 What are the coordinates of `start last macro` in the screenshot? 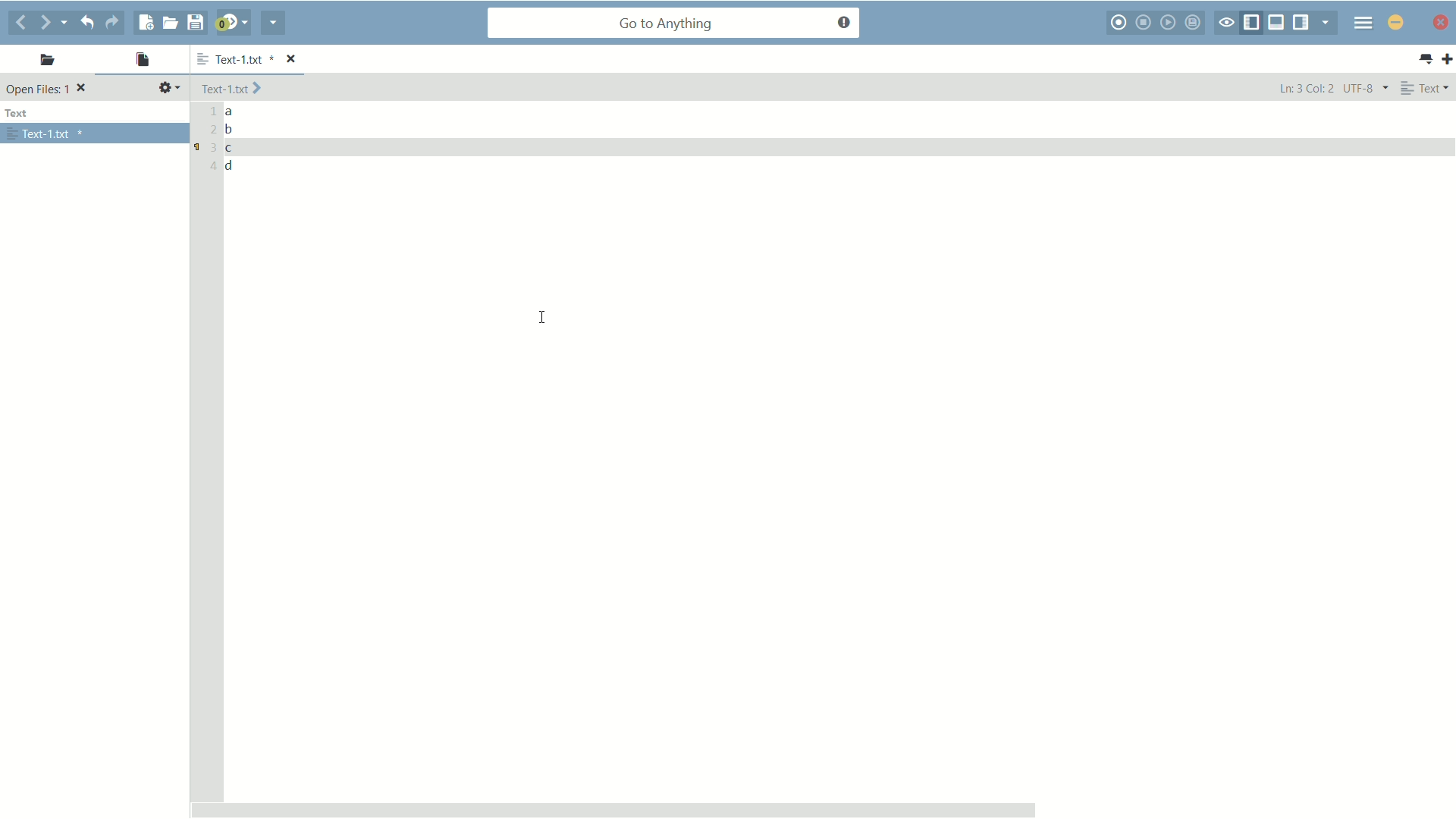 It's located at (1168, 24).